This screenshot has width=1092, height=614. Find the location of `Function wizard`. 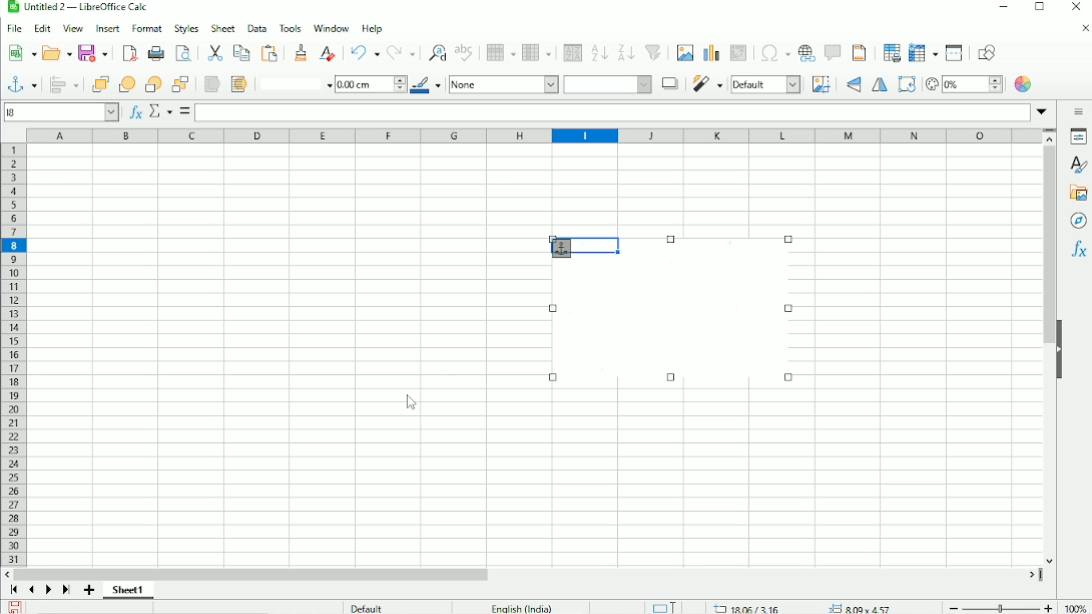

Function wizard is located at coordinates (134, 112).